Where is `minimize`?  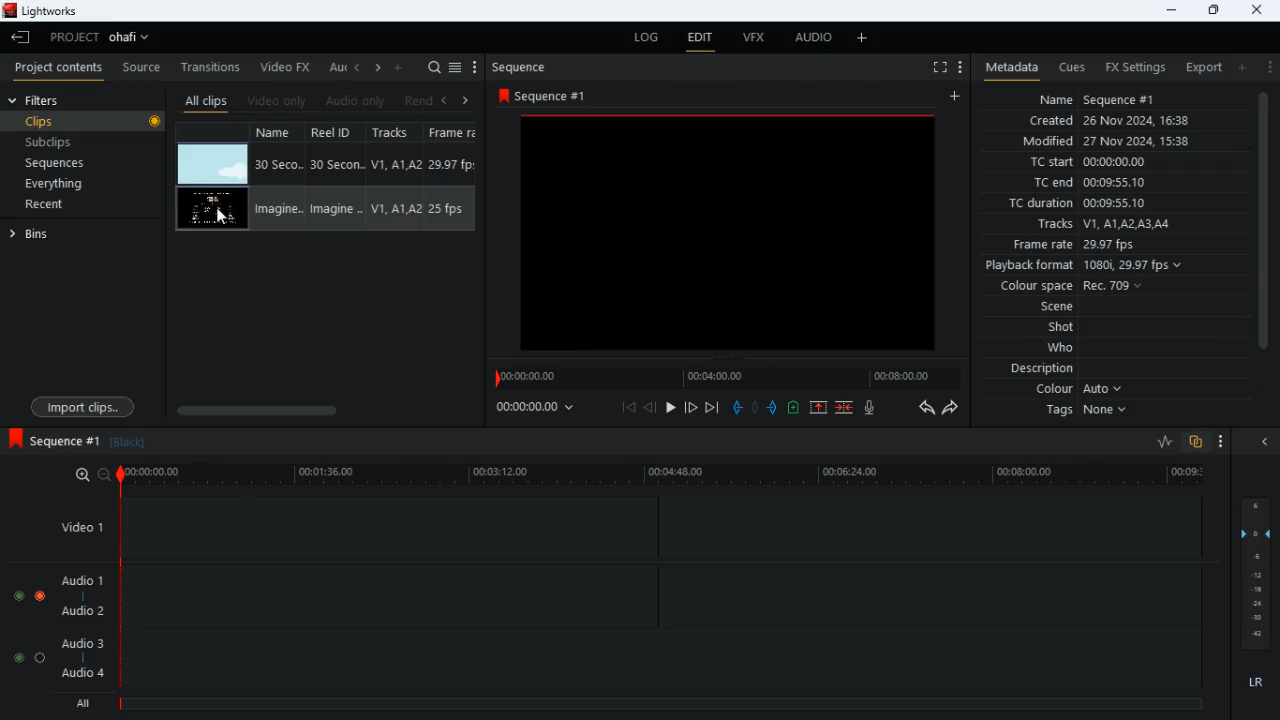 minimize is located at coordinates (1167, 10).